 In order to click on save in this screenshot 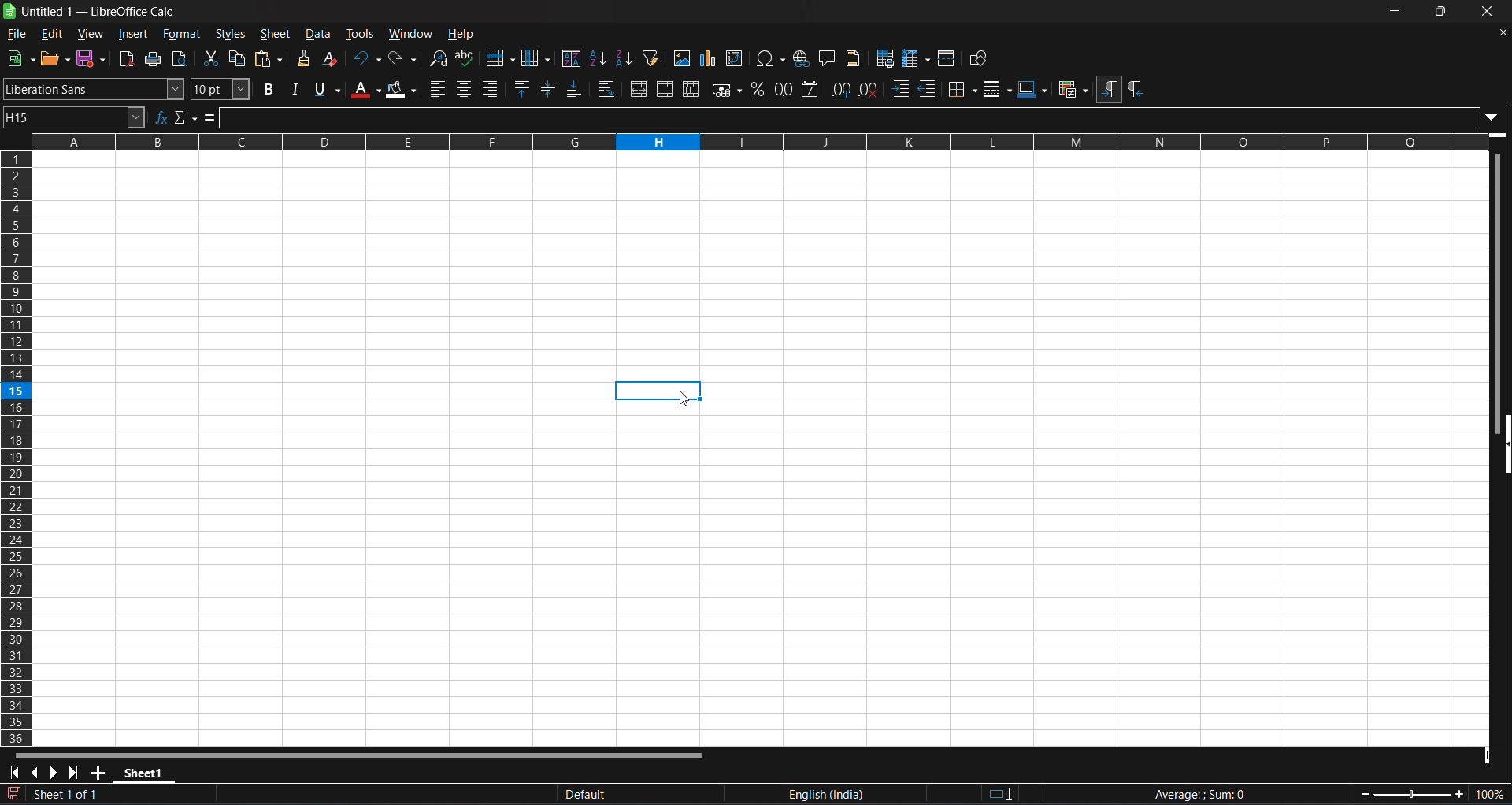, I will do `click(91, 58)`.